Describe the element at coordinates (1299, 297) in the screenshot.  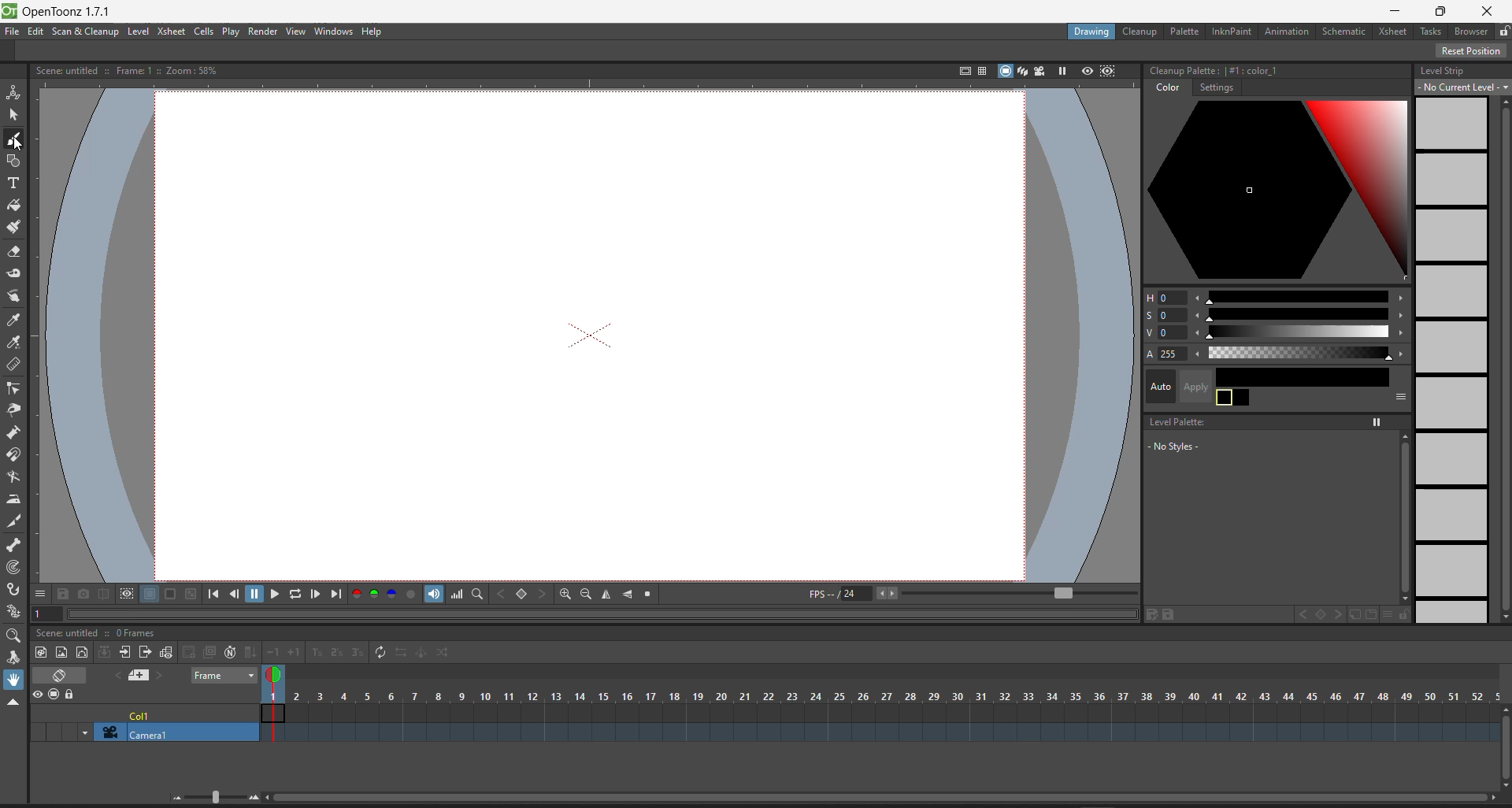
I see `slider` at that location.